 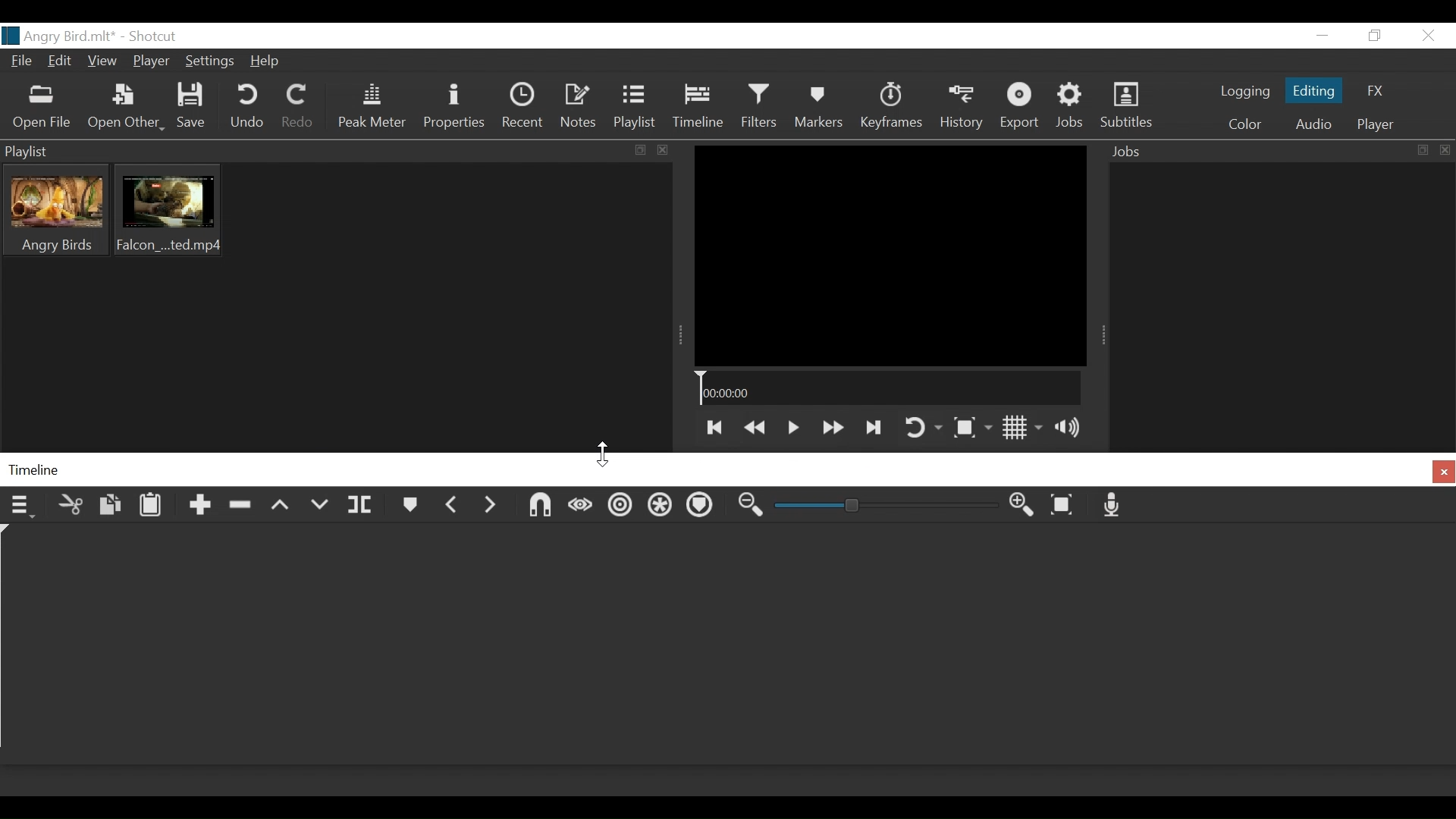 I want to click on Cursor, so click(x=607, y=451).